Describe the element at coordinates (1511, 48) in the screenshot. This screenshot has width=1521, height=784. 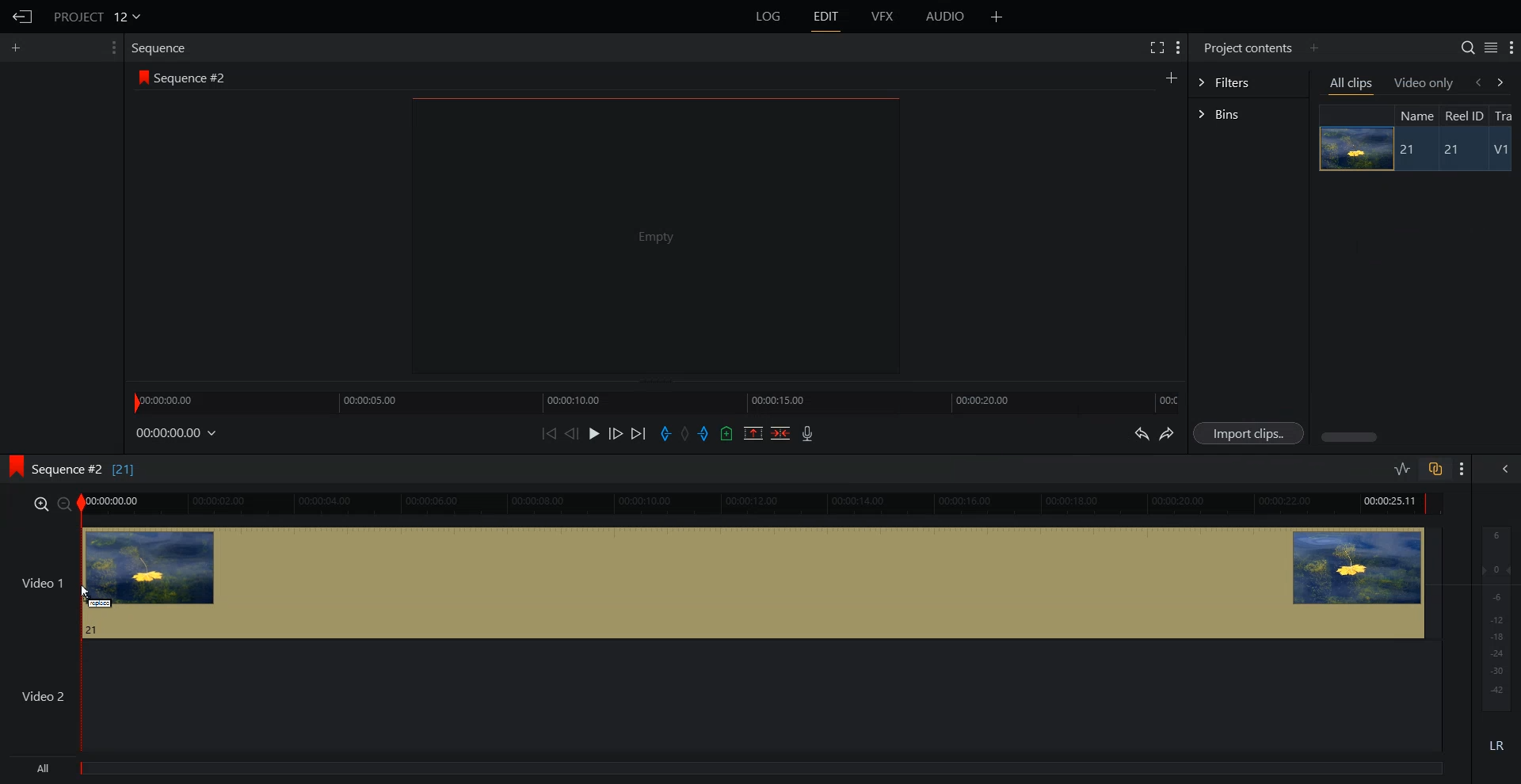
I see `Show Setting Menu` at that location.